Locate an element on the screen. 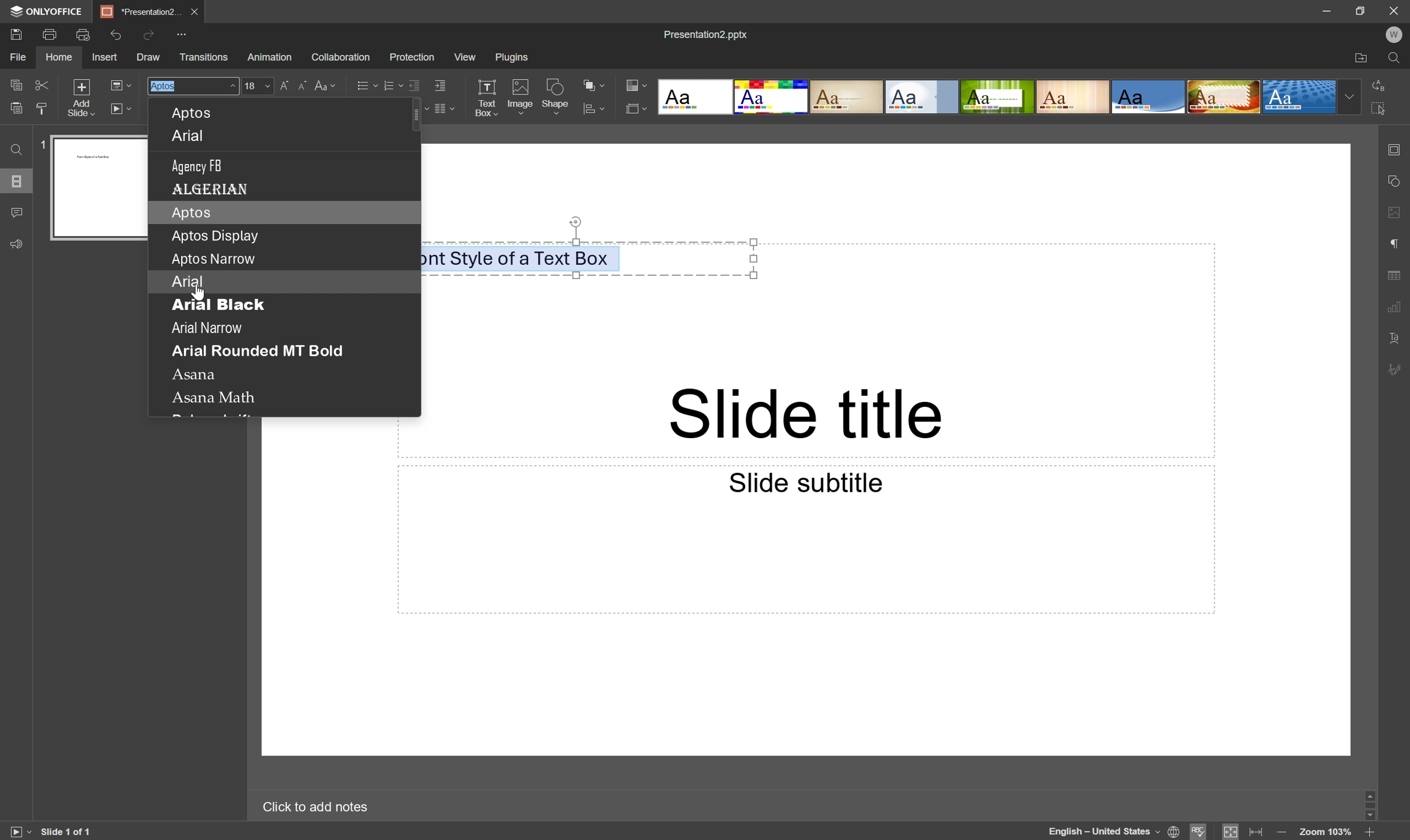 Image resolution: width=1410 pixels, height=840 pixels. slide is located at coordinates (100, 189).